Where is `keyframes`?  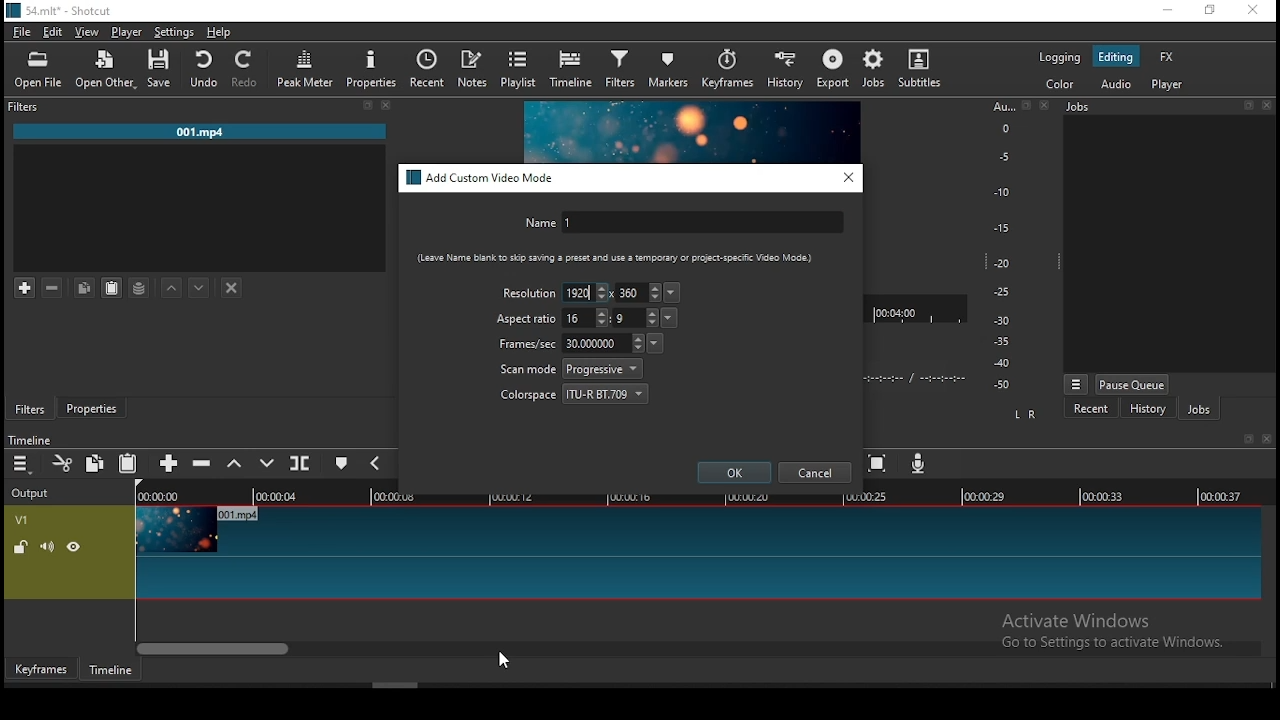 keyframes is located at coordinates (727, 72).